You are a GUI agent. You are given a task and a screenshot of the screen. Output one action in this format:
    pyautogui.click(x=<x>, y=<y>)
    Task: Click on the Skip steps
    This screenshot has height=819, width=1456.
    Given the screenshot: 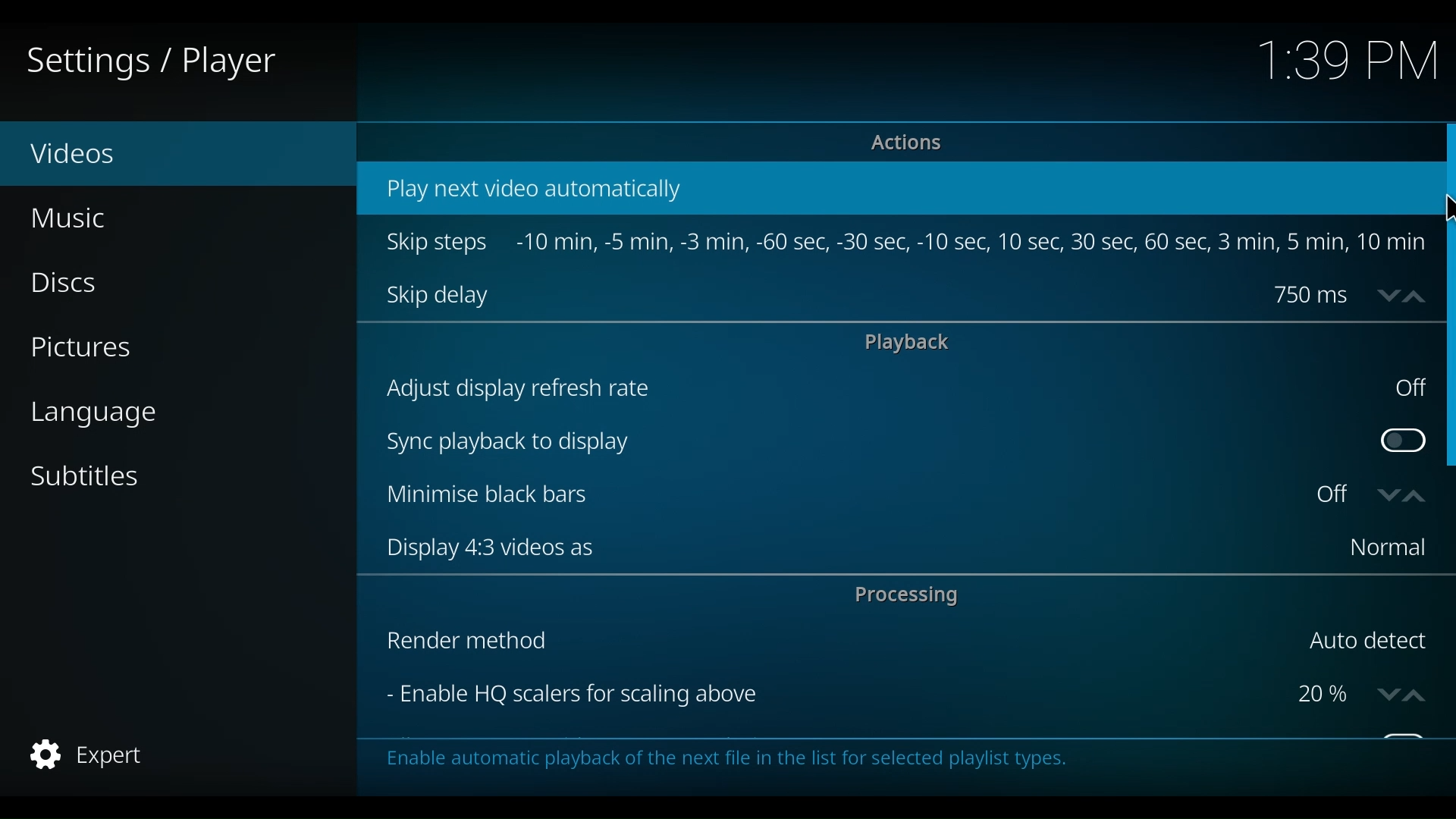 What is the action you would take?
    pyautogui.click(x=438, y=243)
    